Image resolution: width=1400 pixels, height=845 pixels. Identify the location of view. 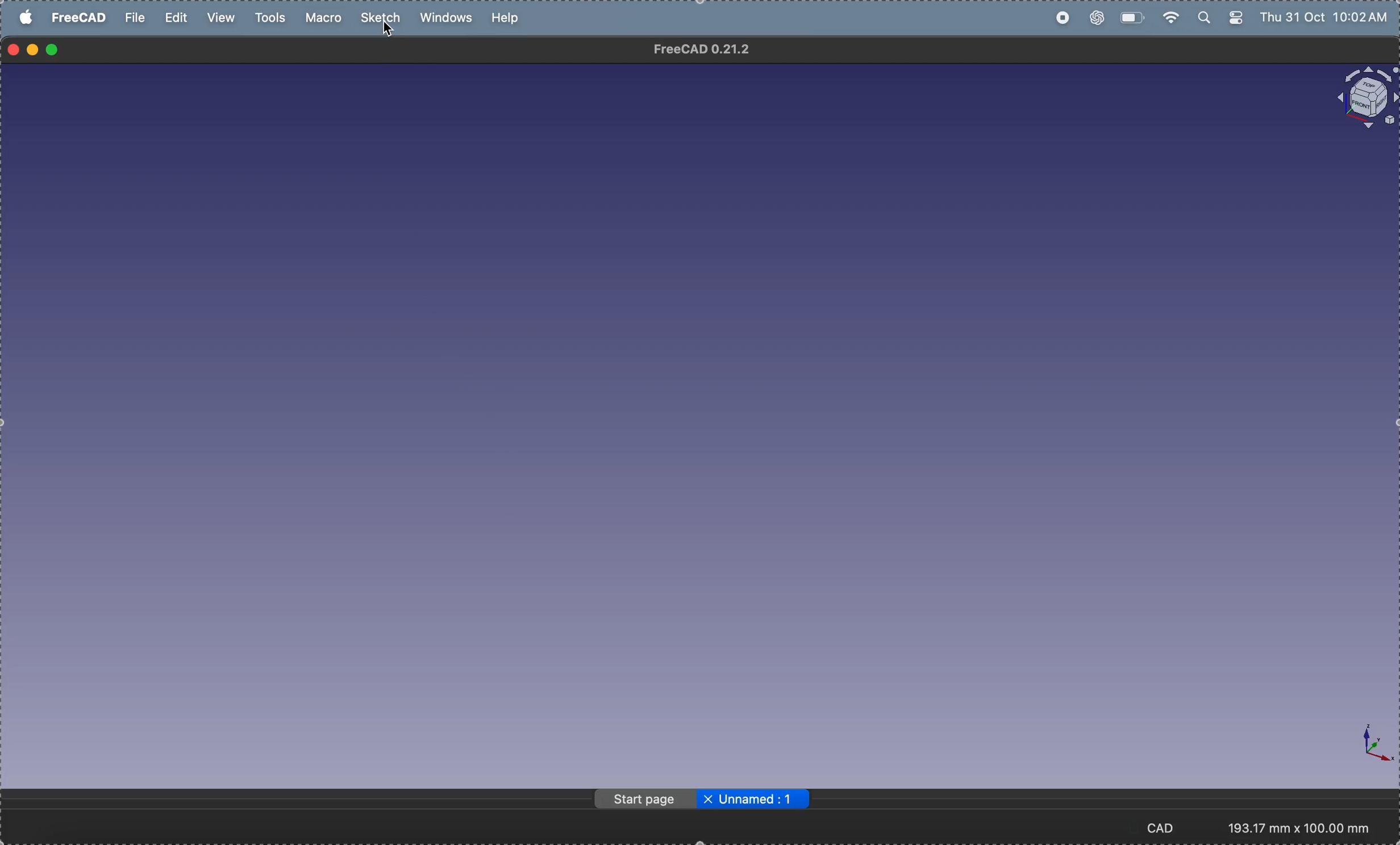
(219, 18).